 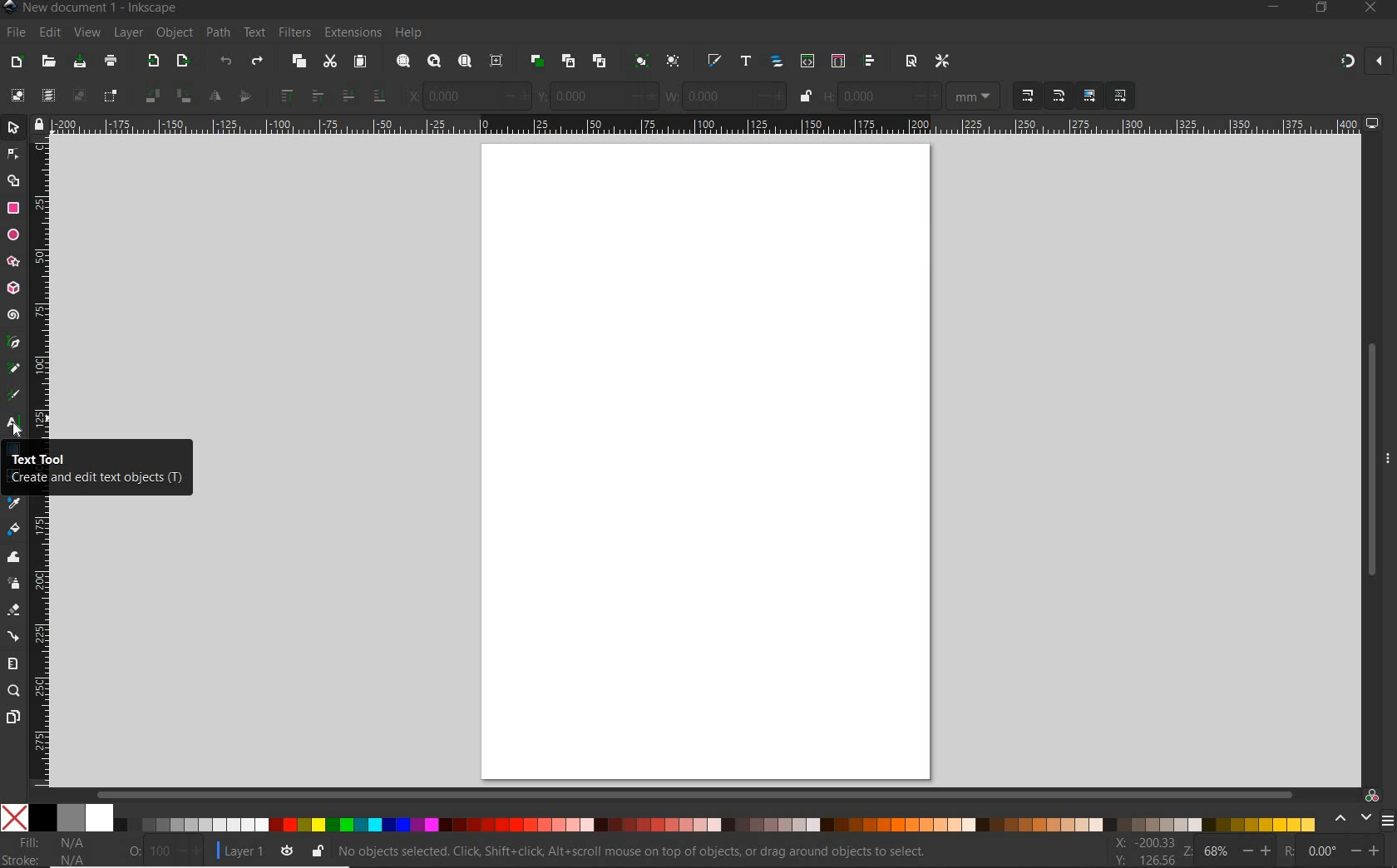 I want to click on vertical coordinate of selection, so click(x=596, y=96).